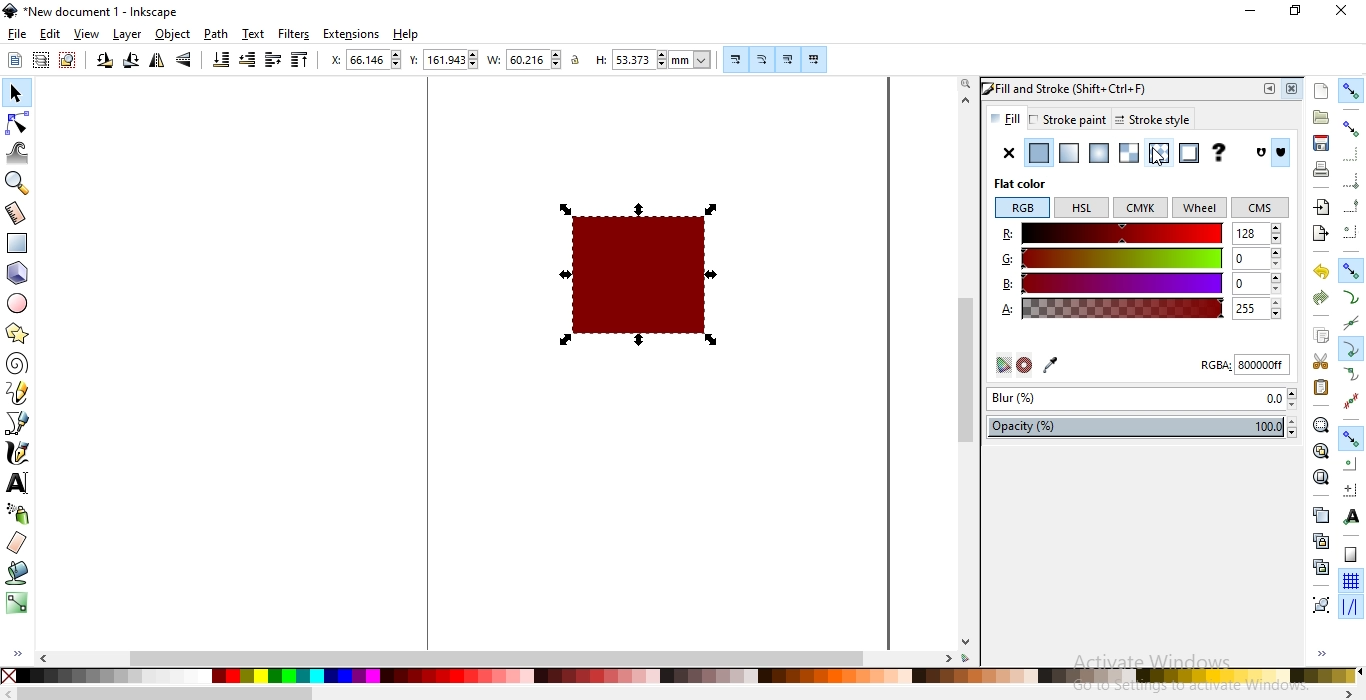  Describe the element at coordinates (1352, 89) in the screenshot. I see `enable snapping` at that location.